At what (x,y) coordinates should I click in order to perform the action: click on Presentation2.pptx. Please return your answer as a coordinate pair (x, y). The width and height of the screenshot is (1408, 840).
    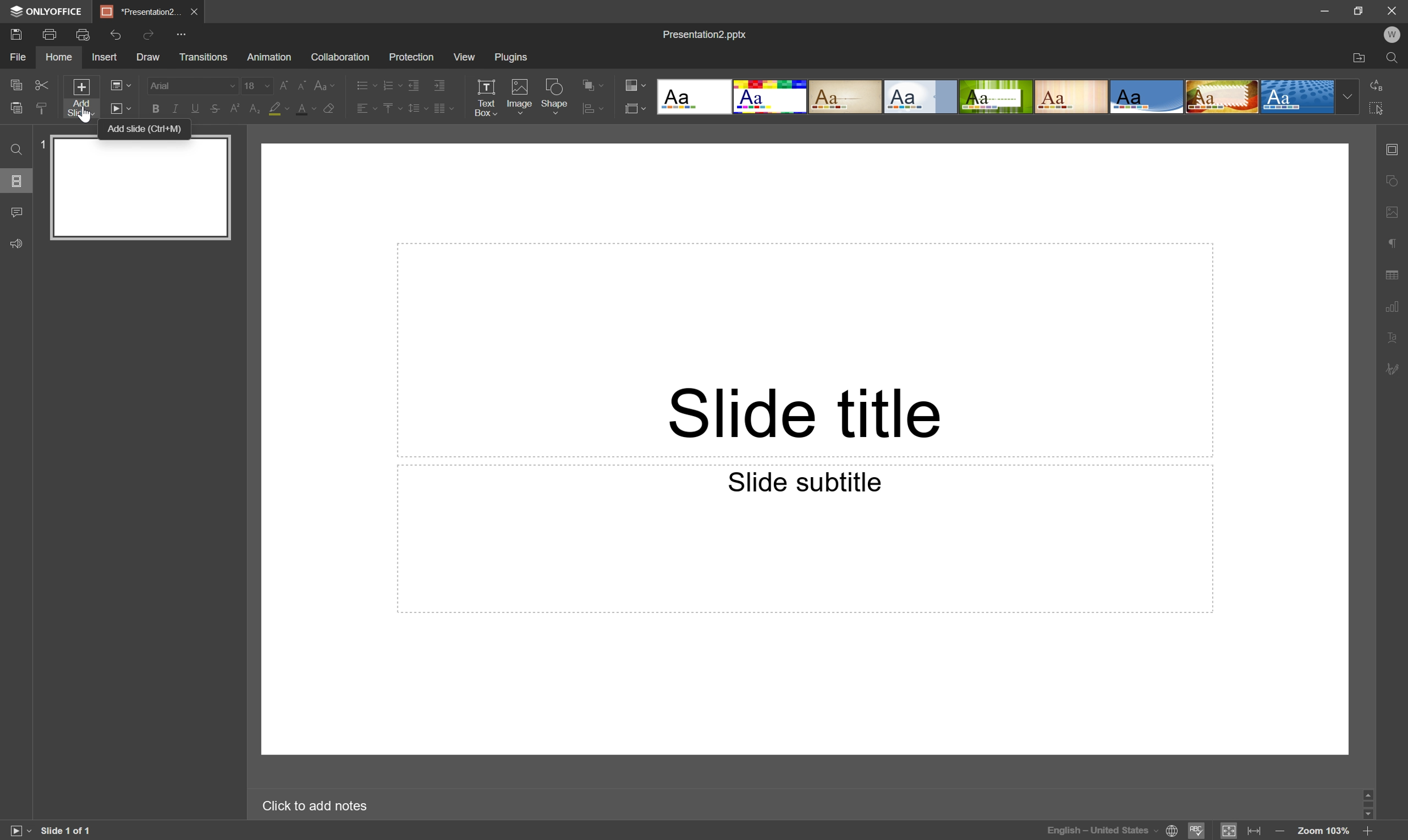
    Looking at the image, I should click on (708, 36).